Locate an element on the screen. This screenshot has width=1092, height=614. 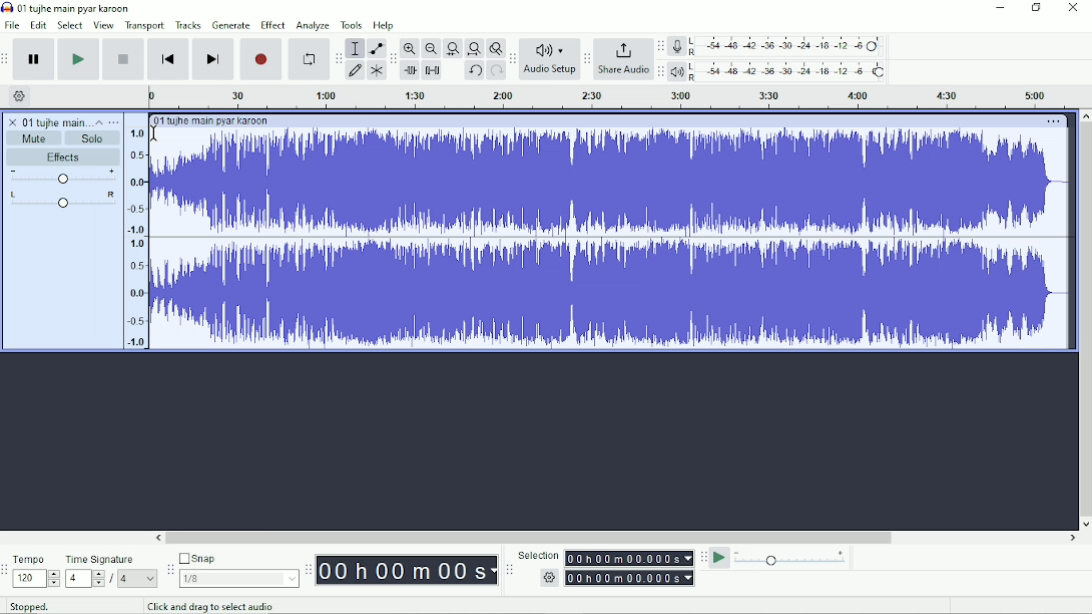
00 h 00 m 00.00s is located at coordinates (407, 571).